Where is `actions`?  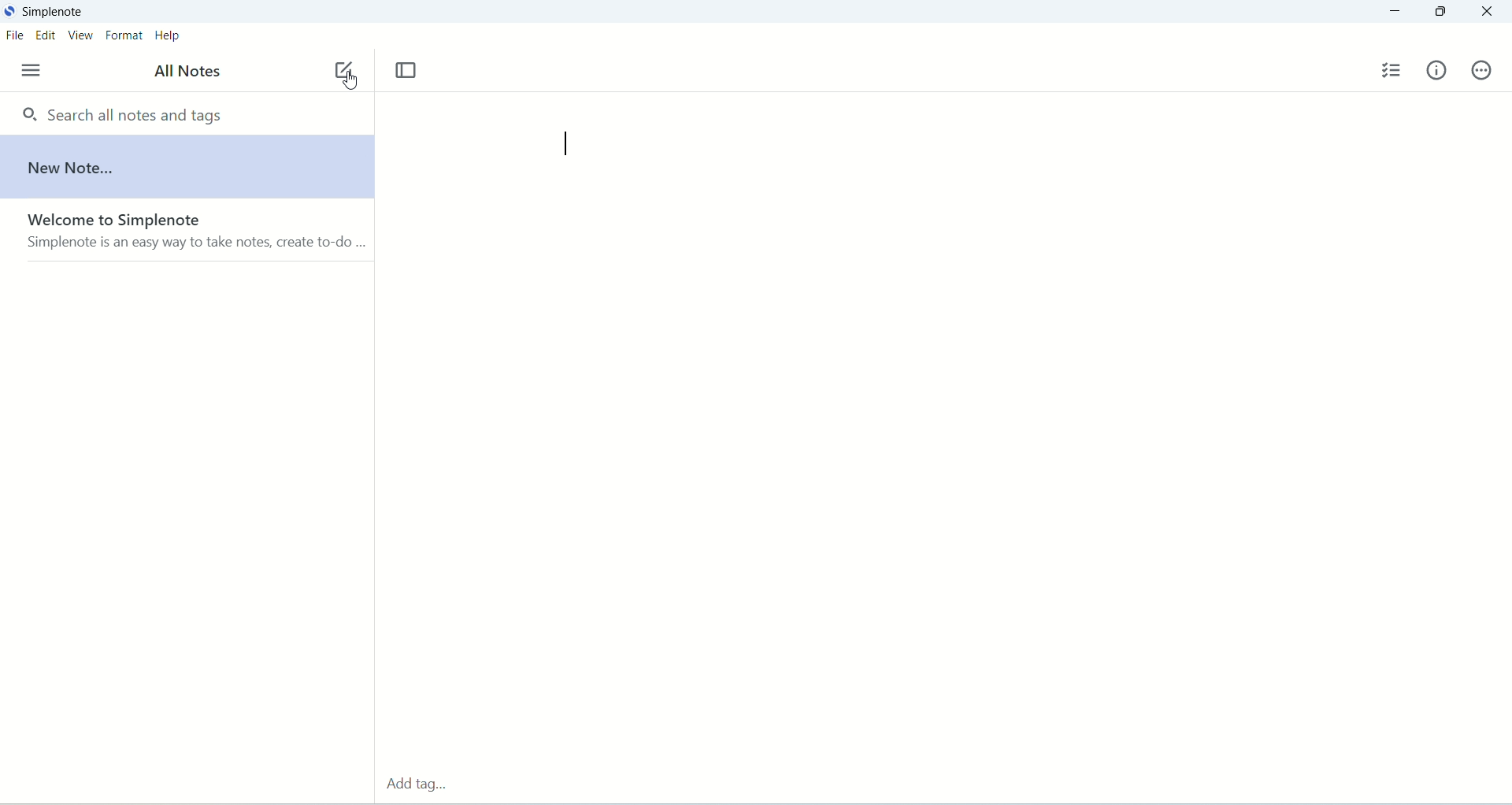 actions is located at coordinates (1484, 73).